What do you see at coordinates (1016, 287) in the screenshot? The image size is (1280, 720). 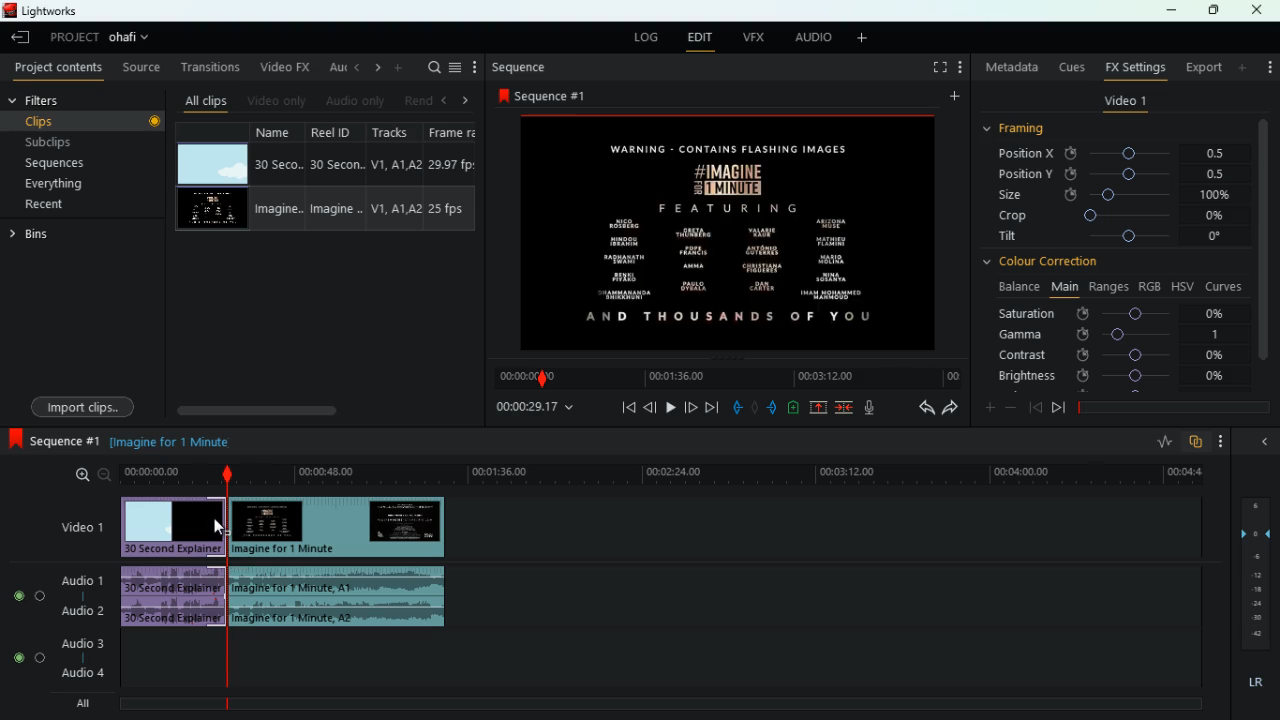 I see `balance` at bounding box center [1016, 287].